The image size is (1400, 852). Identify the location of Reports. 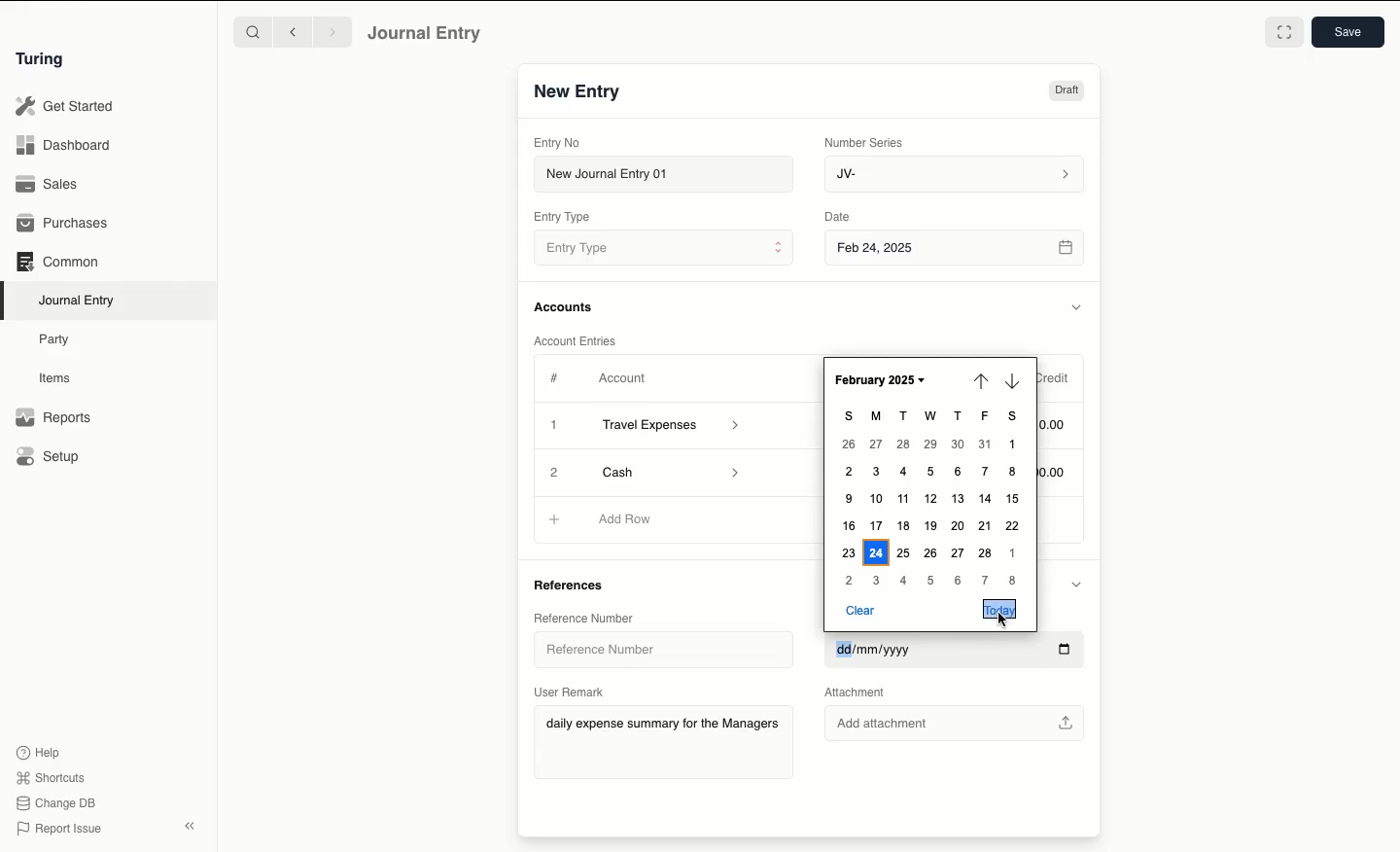
(53, 417).